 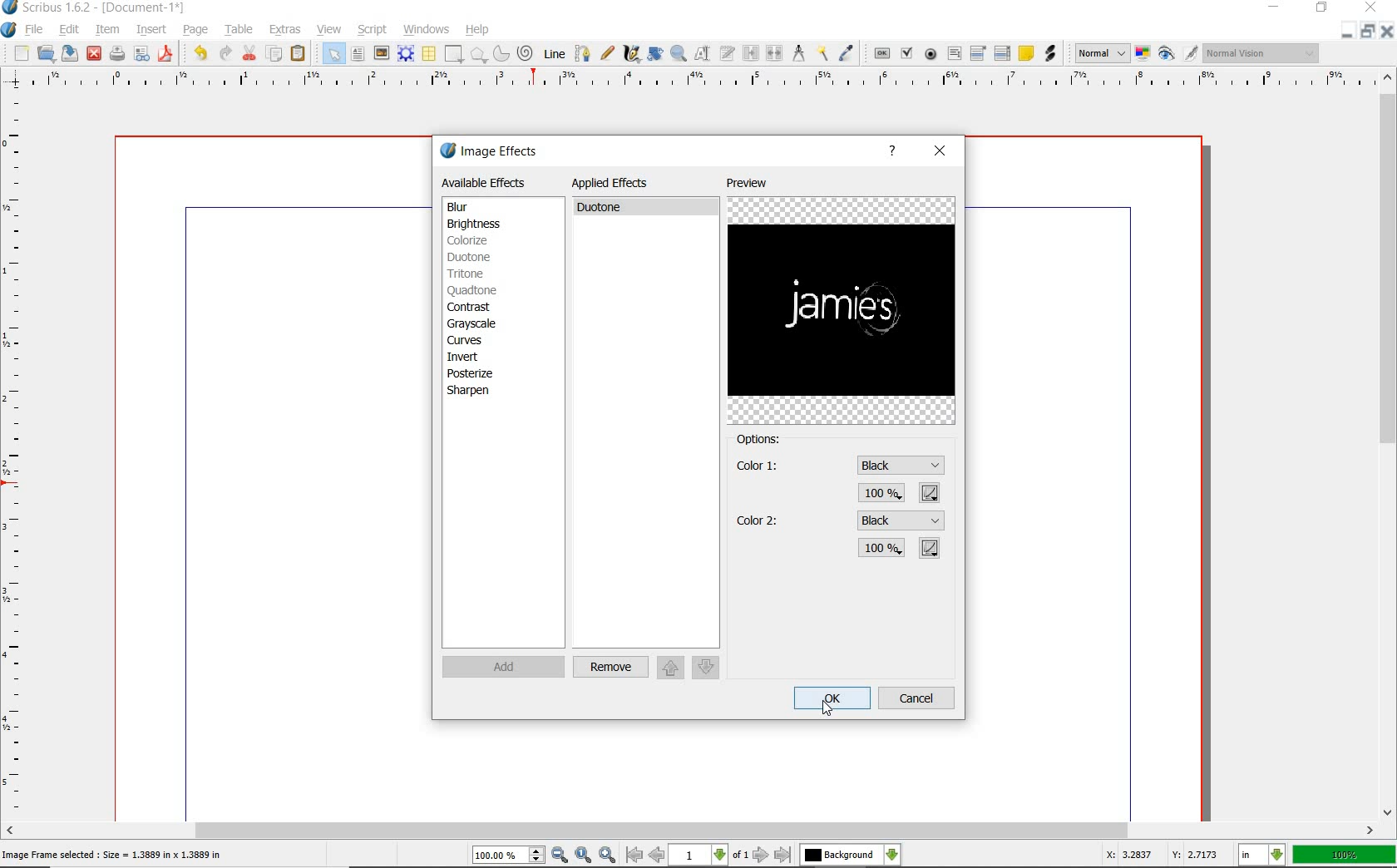 I want to click on text annotation, so click(x=1027, y=54).